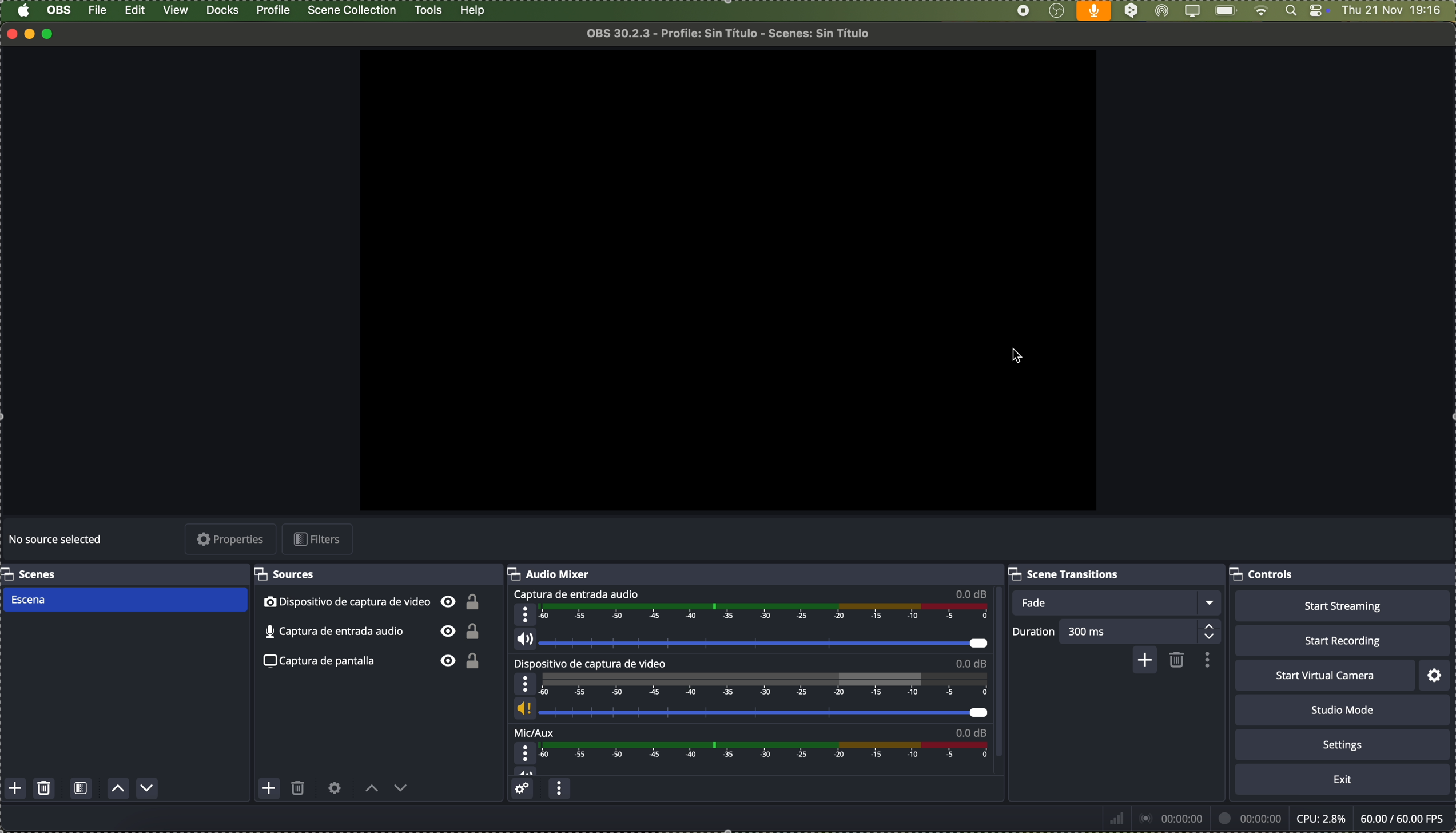 The height and width of the screenshot is (833, 1456). What do you see at coordinates (15, 789) in the screenshot?
I see `add scene` at bounding box center [15, 789].